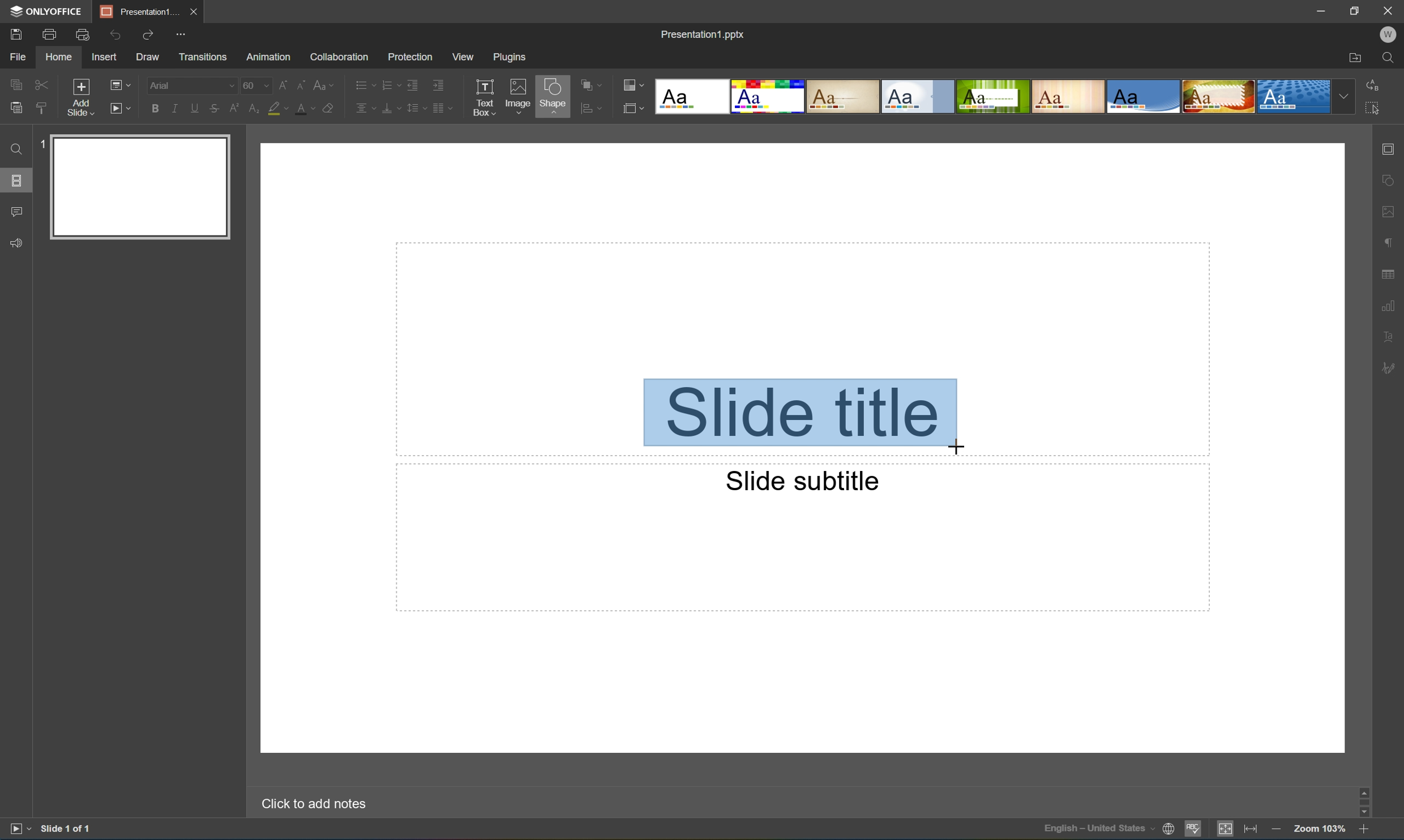 The width and height of the screenshot is (1404, 840). Describe the element at coordinates (255, 85) in the screenshot. I see `60` at that location.